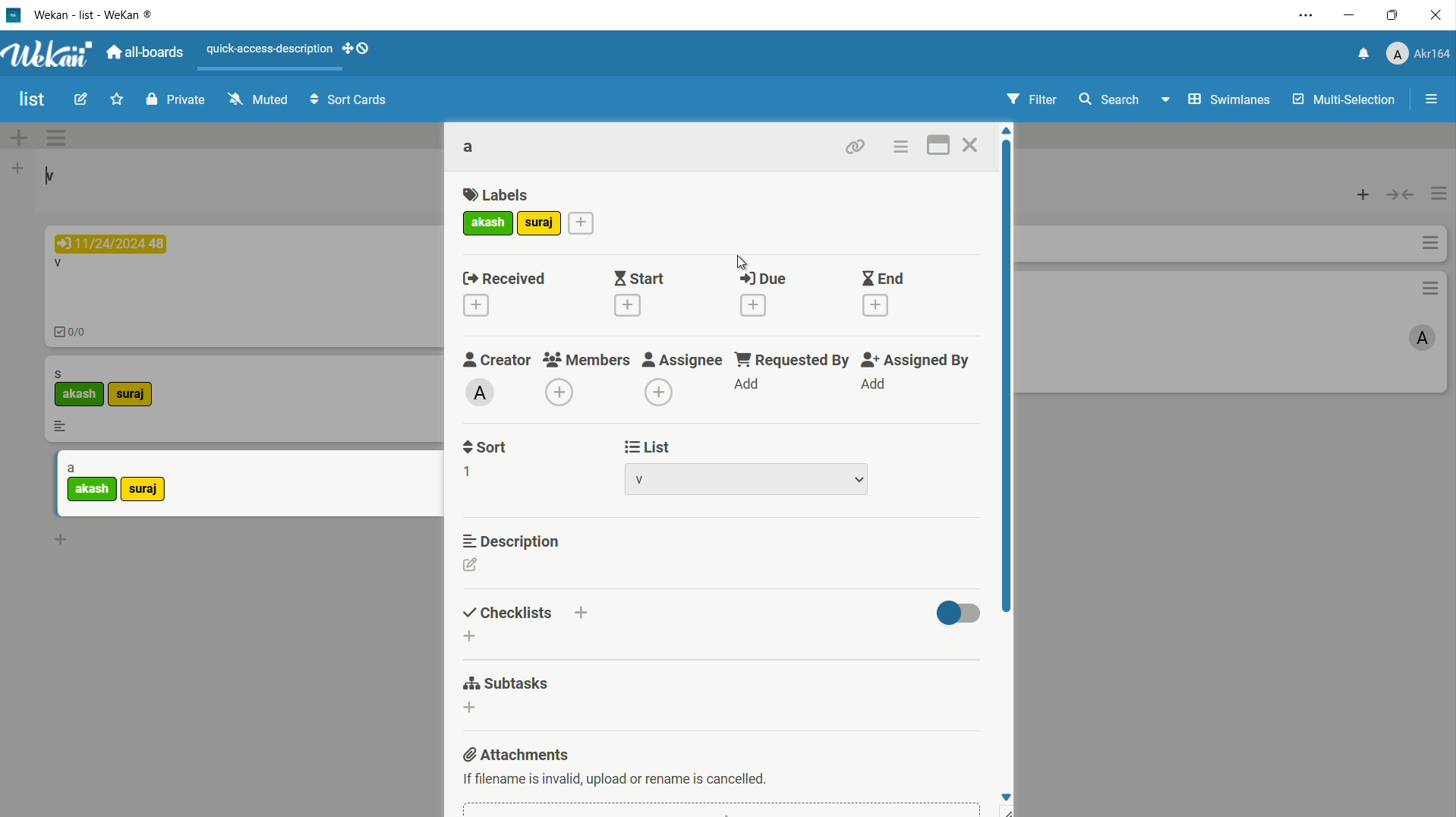 The width and height of the screenshot is (1456, 817). Describe the element at coordinates (900, 147) in the screenshot. I see `card actions` at that location.